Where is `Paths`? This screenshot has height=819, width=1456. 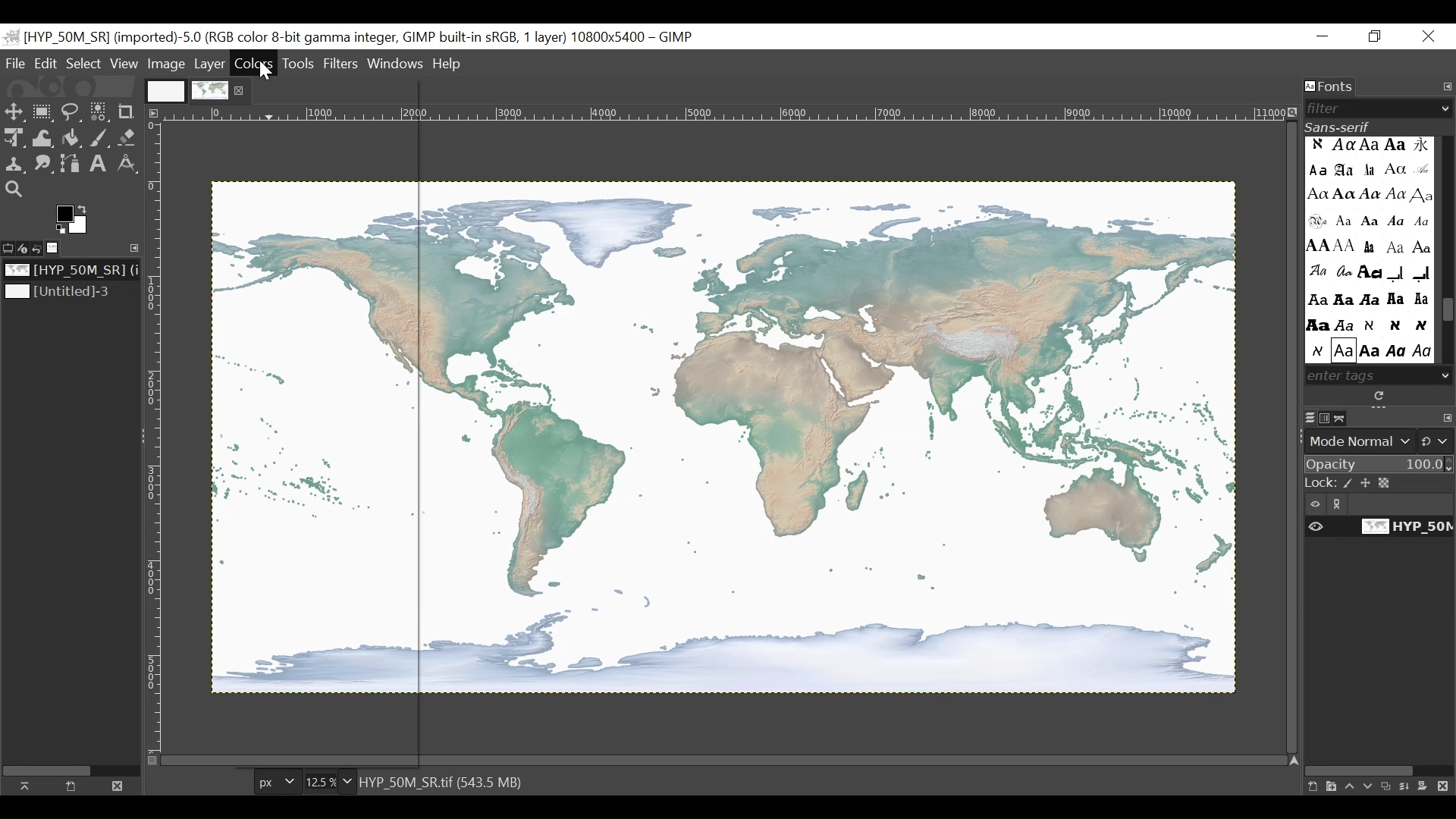 Paths is located at coordinates (1345, 418).